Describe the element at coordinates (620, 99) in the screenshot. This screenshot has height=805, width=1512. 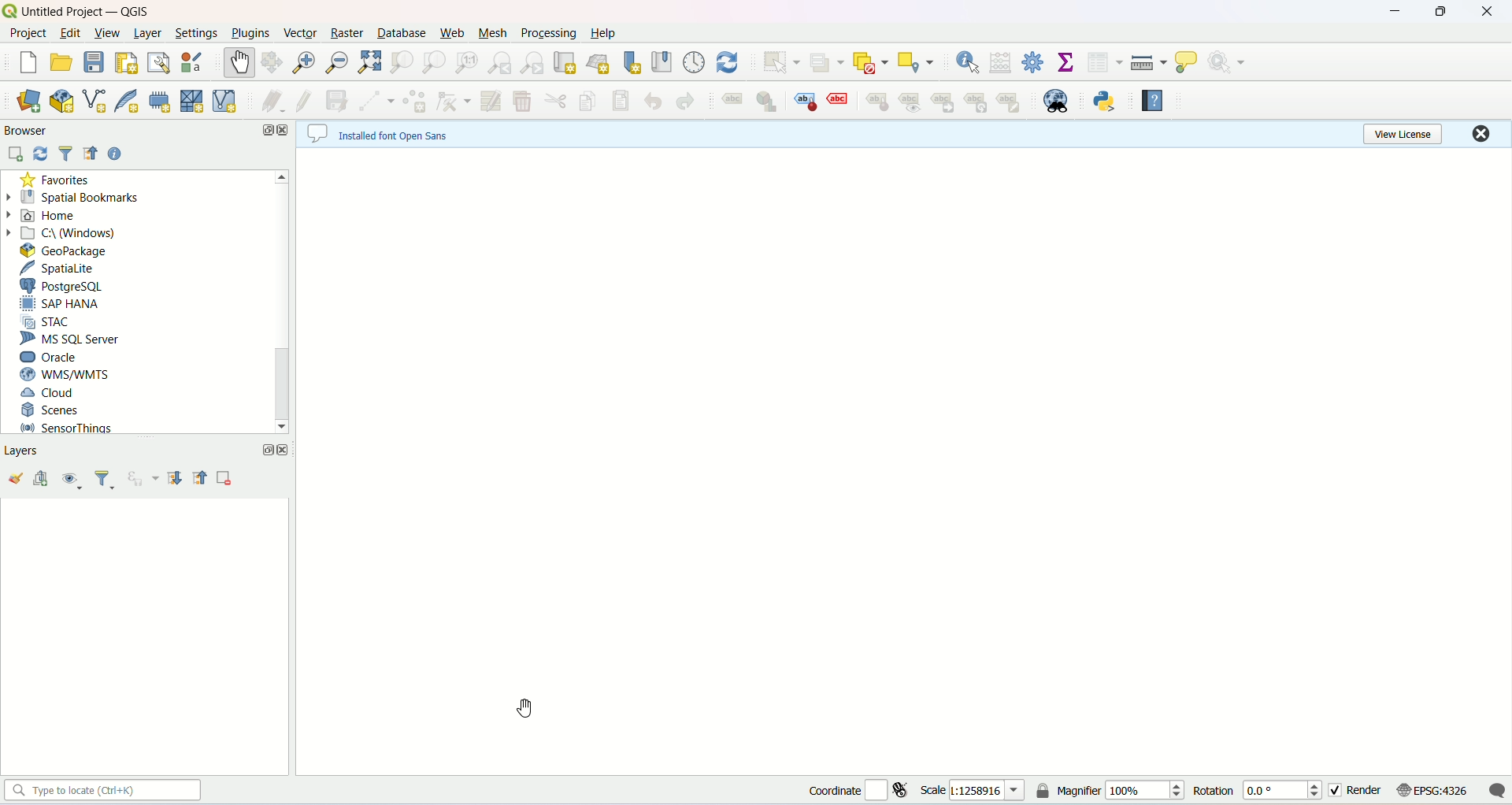
I see `paste` at that location.